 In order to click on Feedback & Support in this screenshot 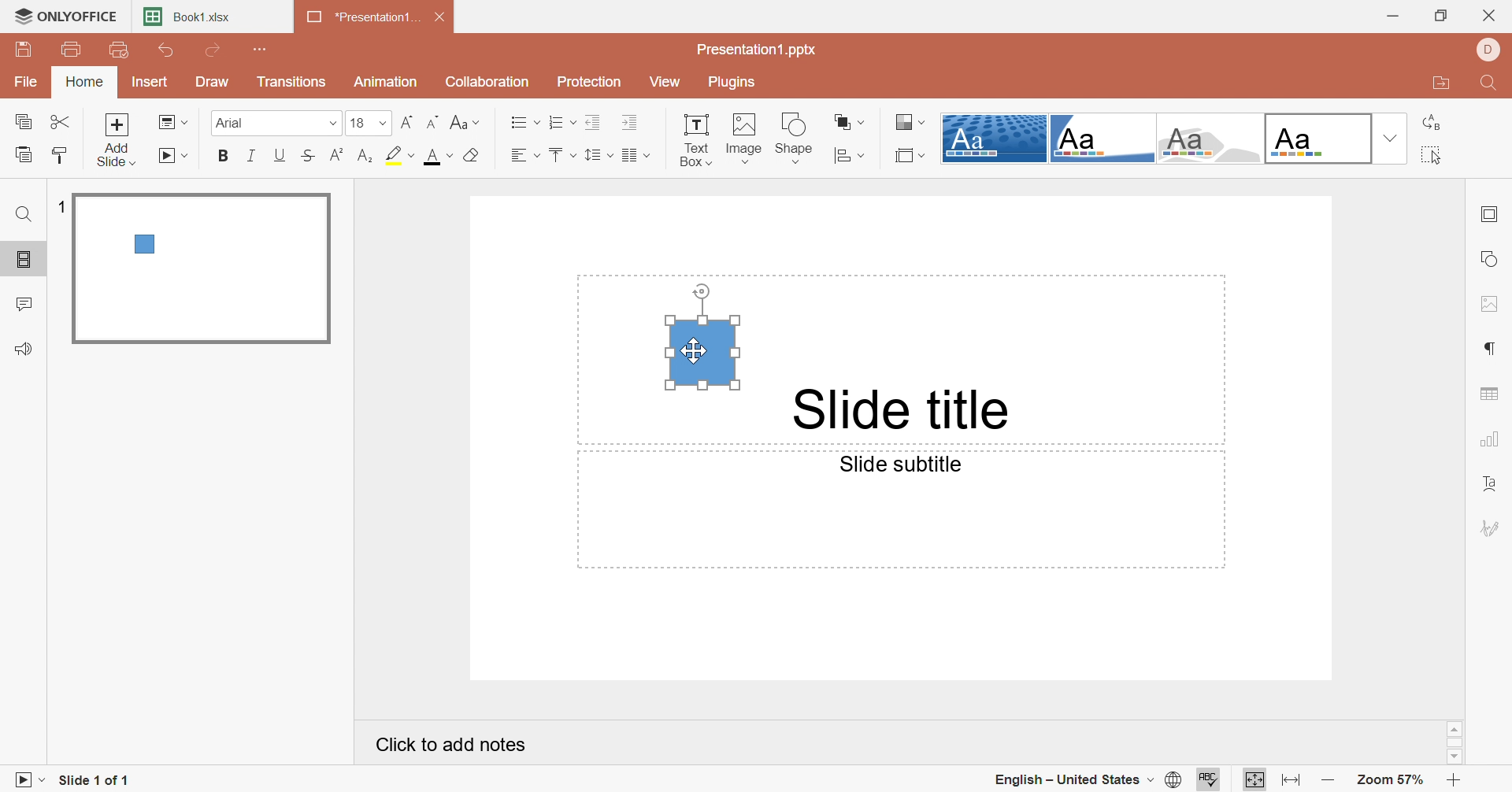, I will do `click(26, 349)`.